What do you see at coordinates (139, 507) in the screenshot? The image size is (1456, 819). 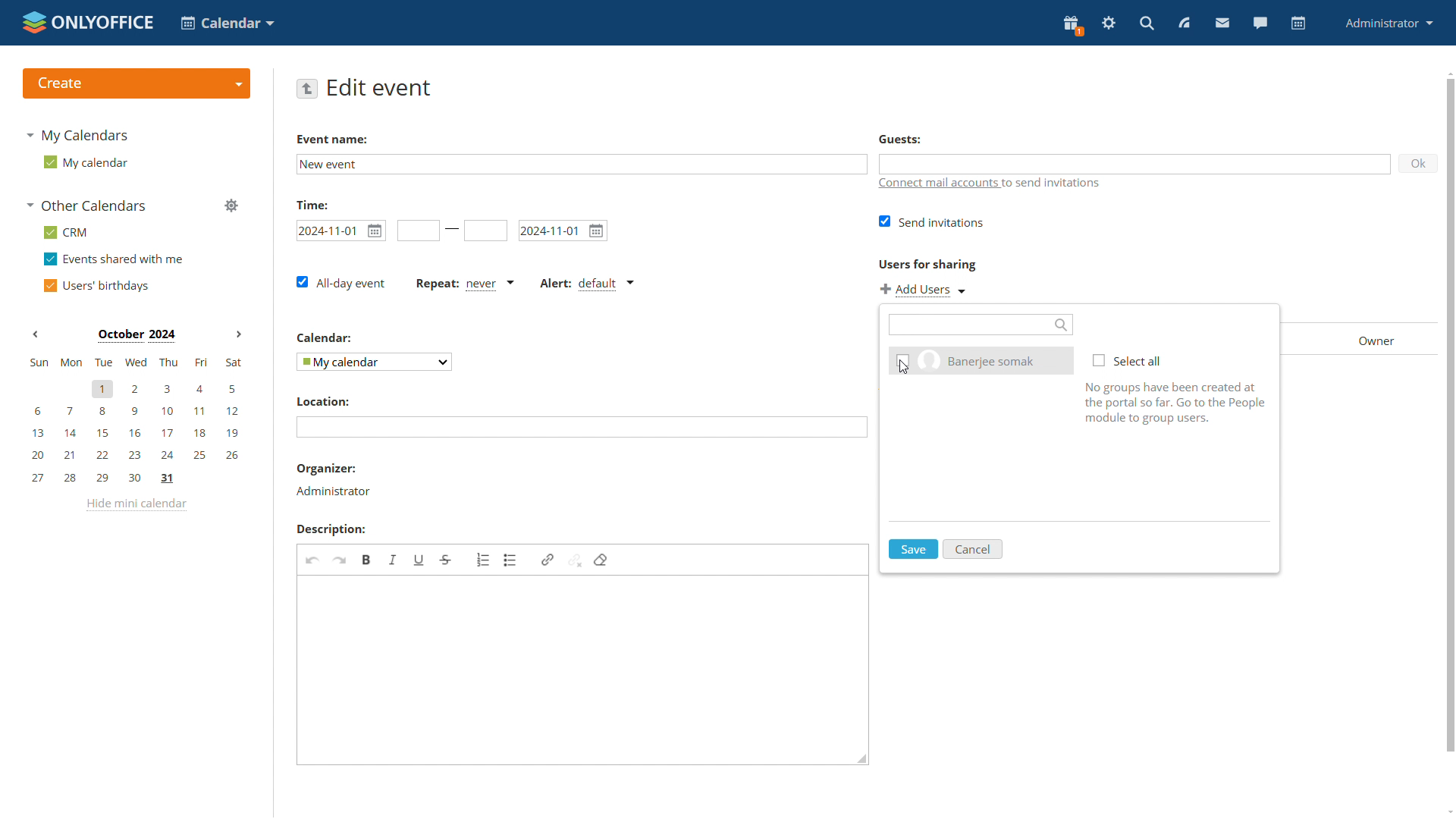 I see `hide mini calendar` at bounding box center [139, 507].